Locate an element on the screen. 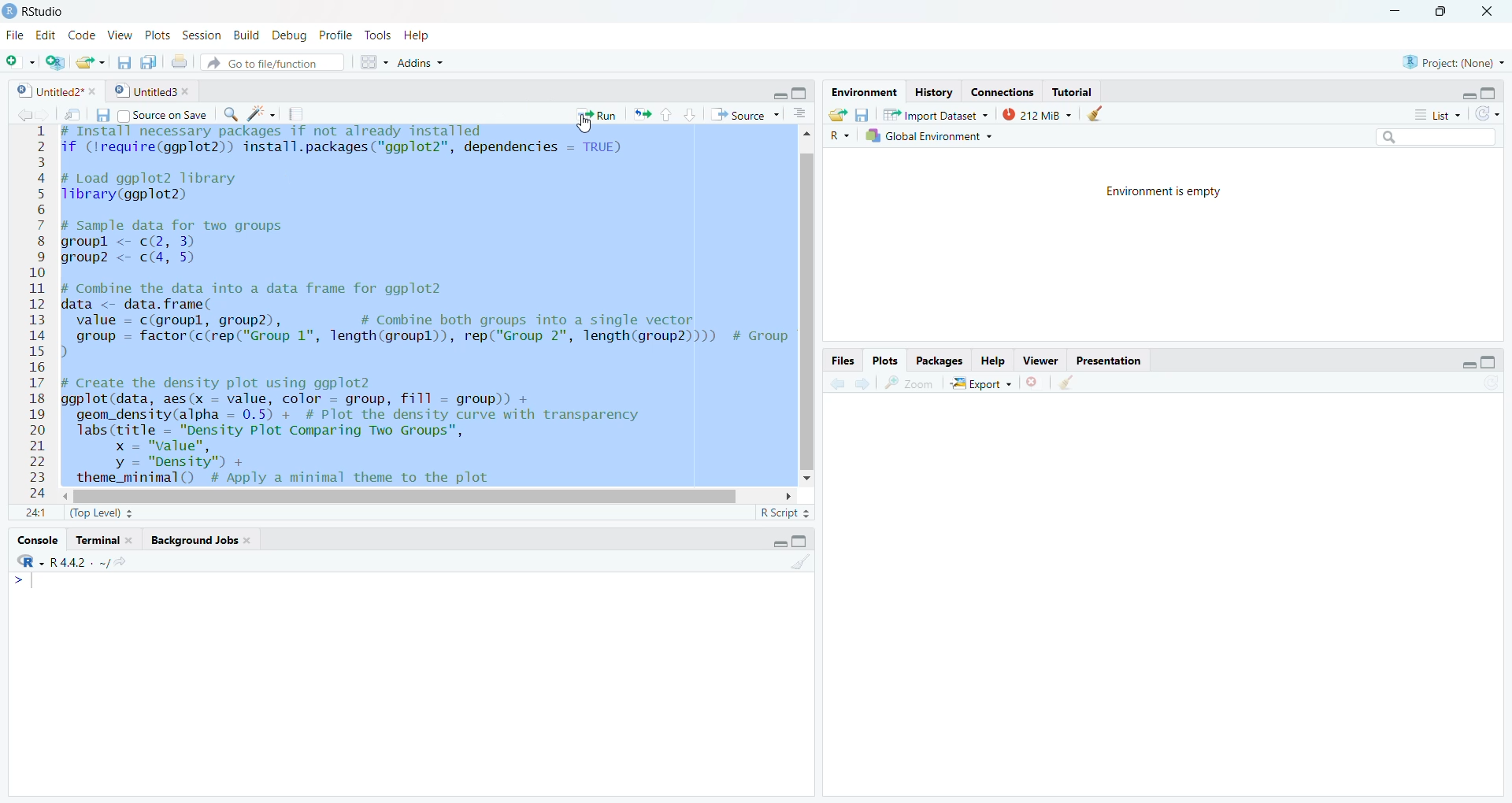 Image resolution: width=1512 pixels, height=803 pixels. minimize is located at coordinates (772, 96).